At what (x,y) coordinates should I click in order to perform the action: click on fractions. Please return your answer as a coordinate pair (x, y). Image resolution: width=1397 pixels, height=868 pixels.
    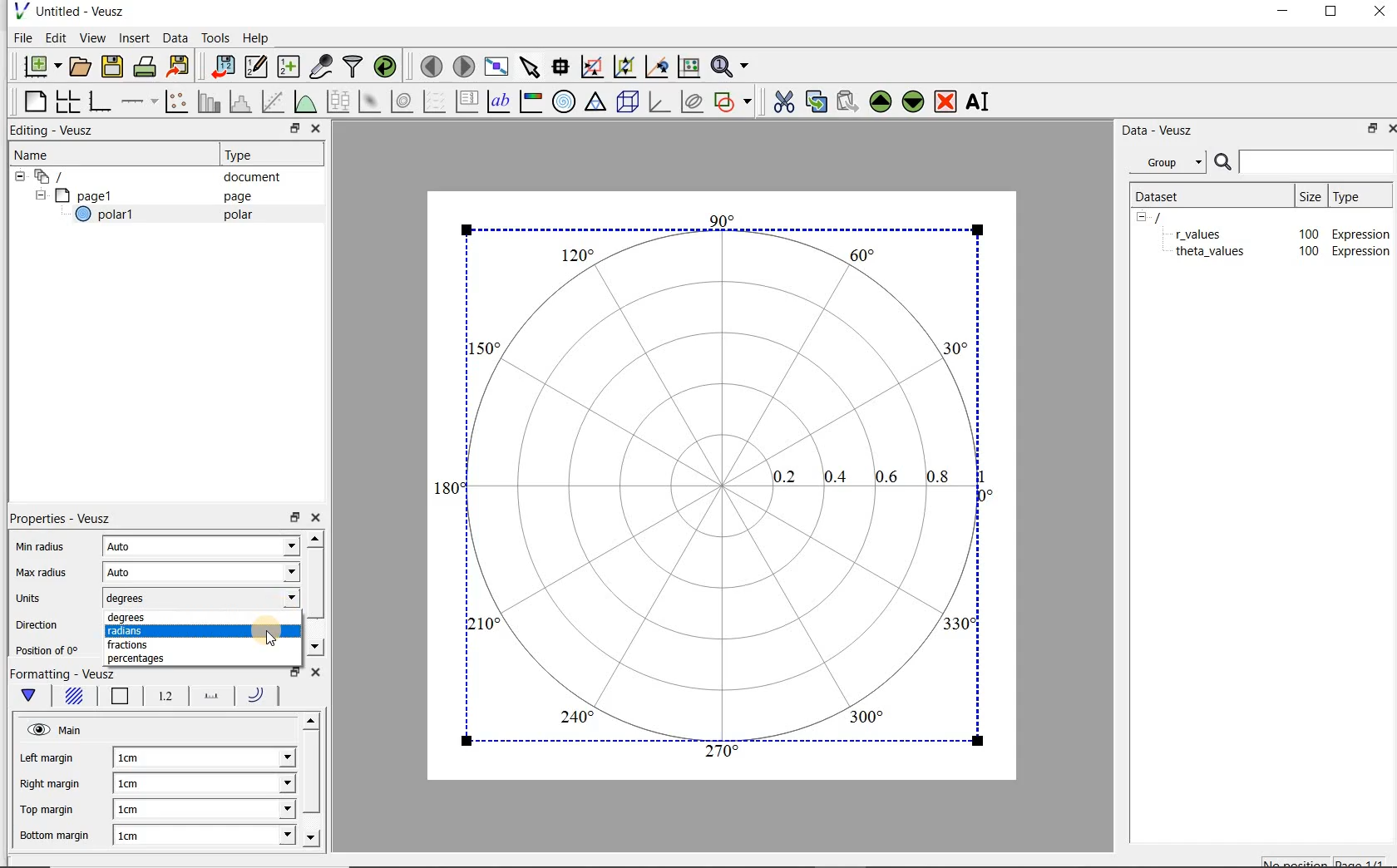
    Looking at the image, I should click on (155, 644).